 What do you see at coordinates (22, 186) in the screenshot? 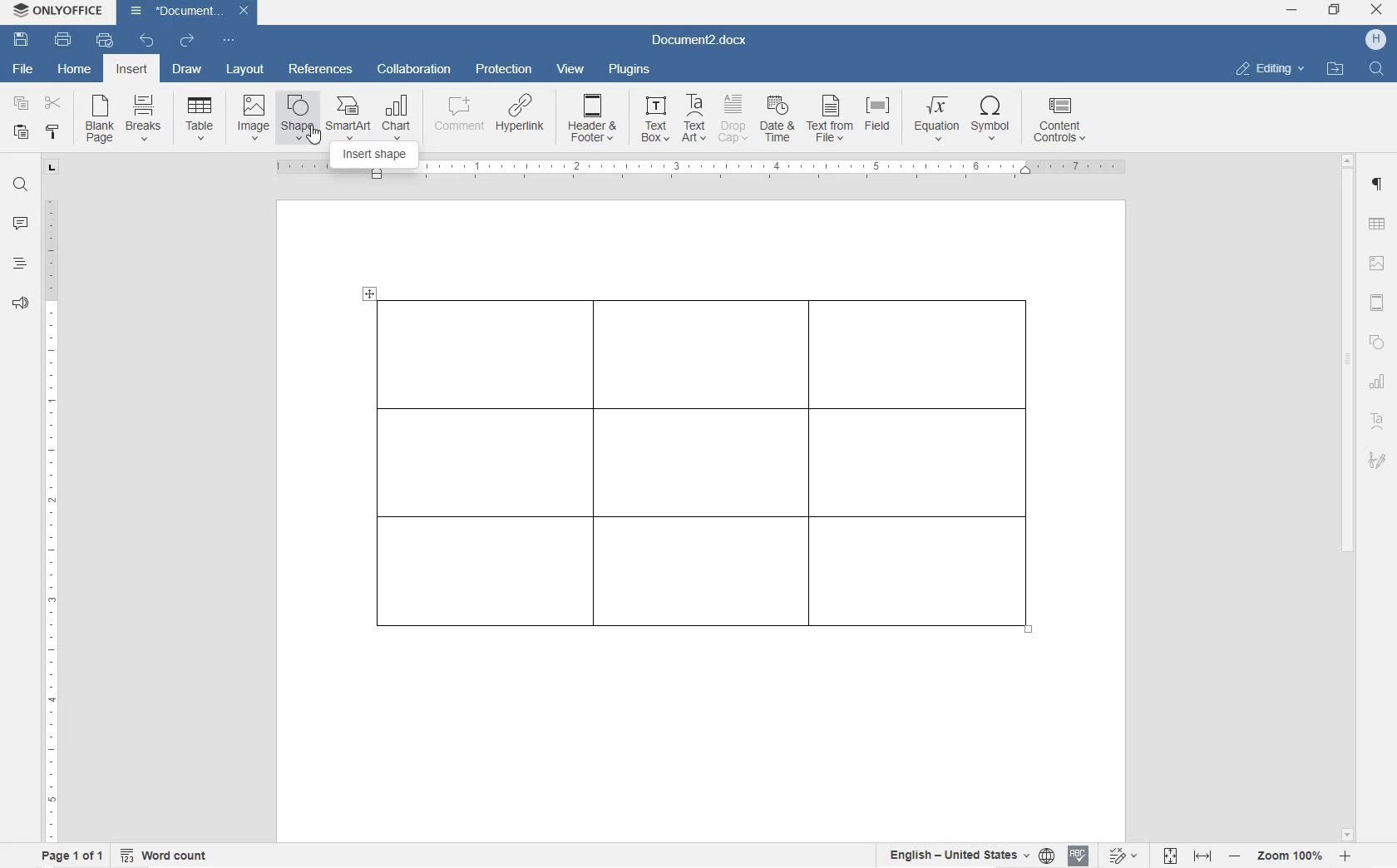
I see `find` at bounding box center [22, 186].